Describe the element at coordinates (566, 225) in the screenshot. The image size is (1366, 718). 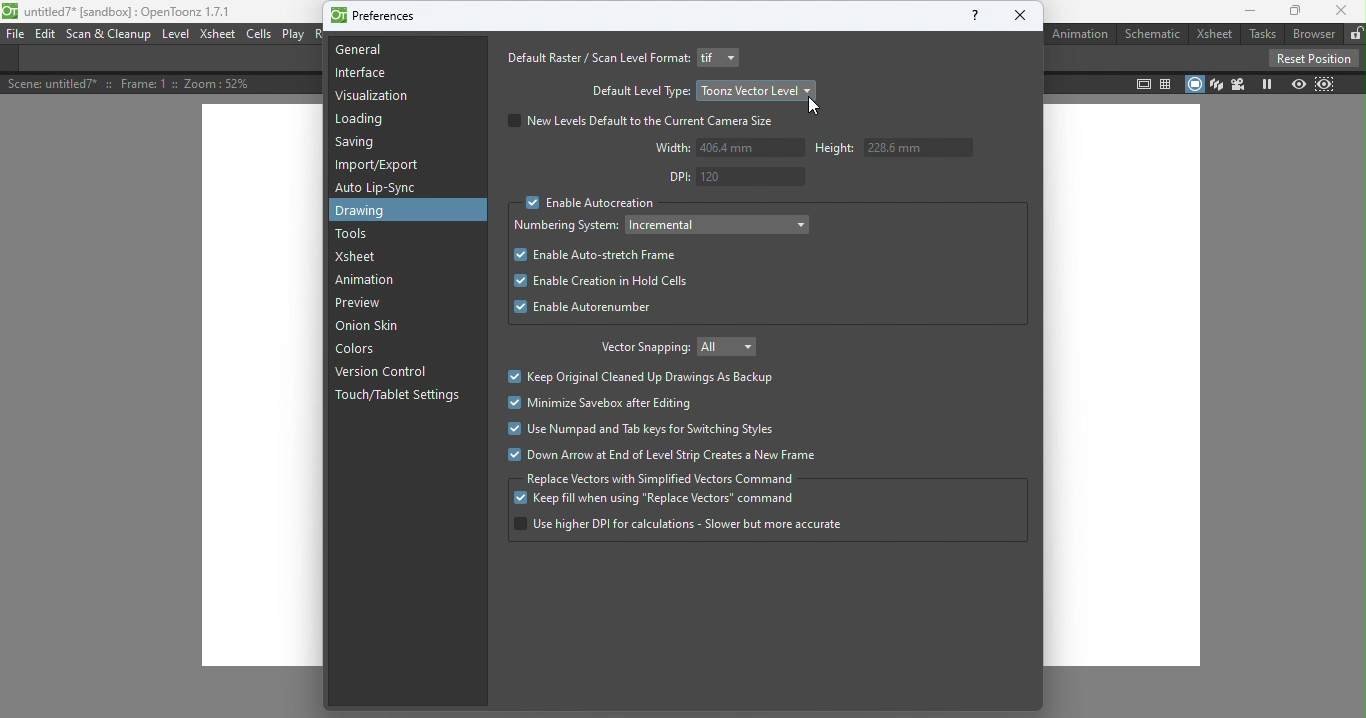
I see `Numbering system` at that location.